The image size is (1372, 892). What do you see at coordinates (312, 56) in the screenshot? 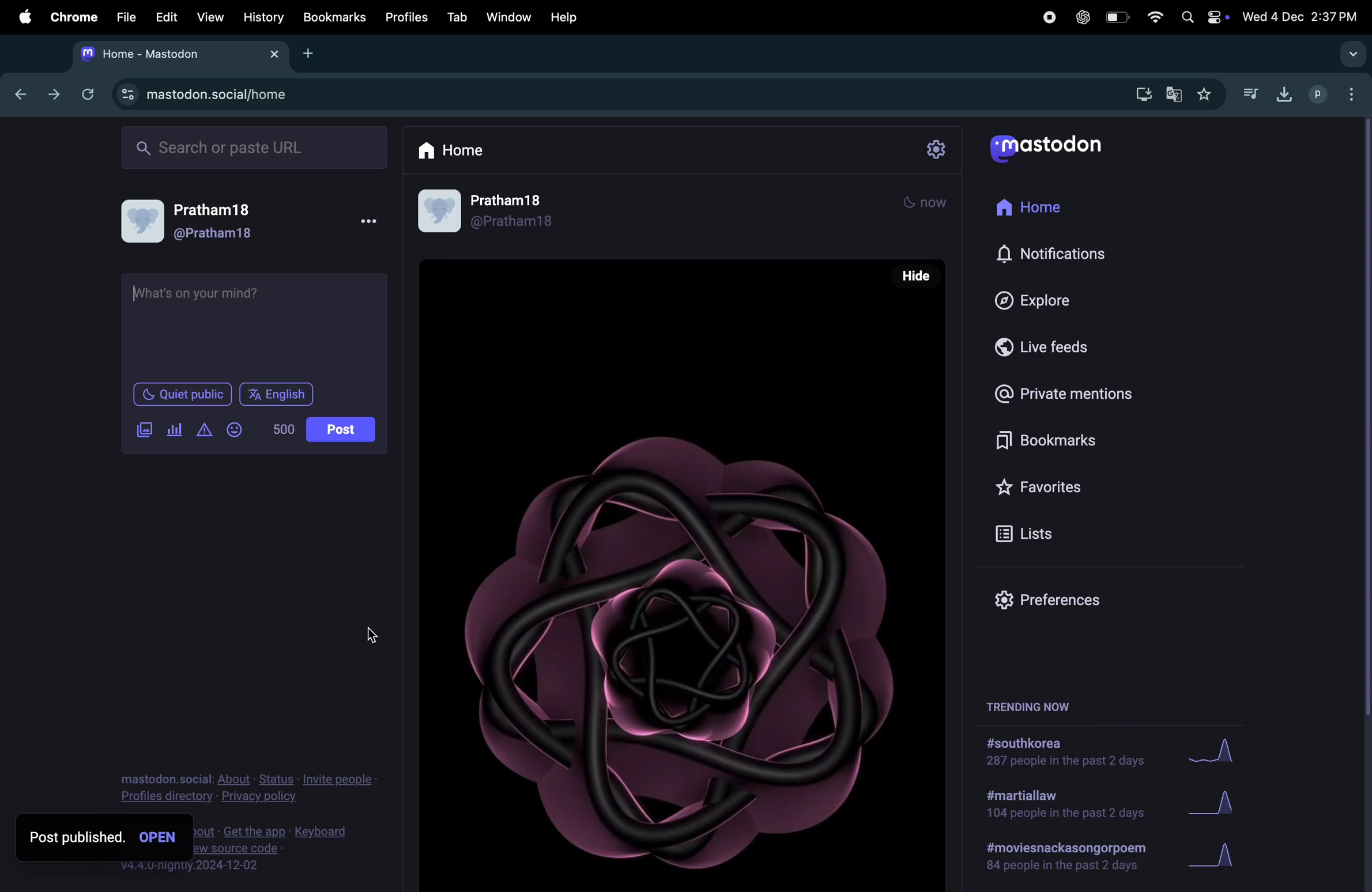
I see `add tab` at bounding box center [312, 56].